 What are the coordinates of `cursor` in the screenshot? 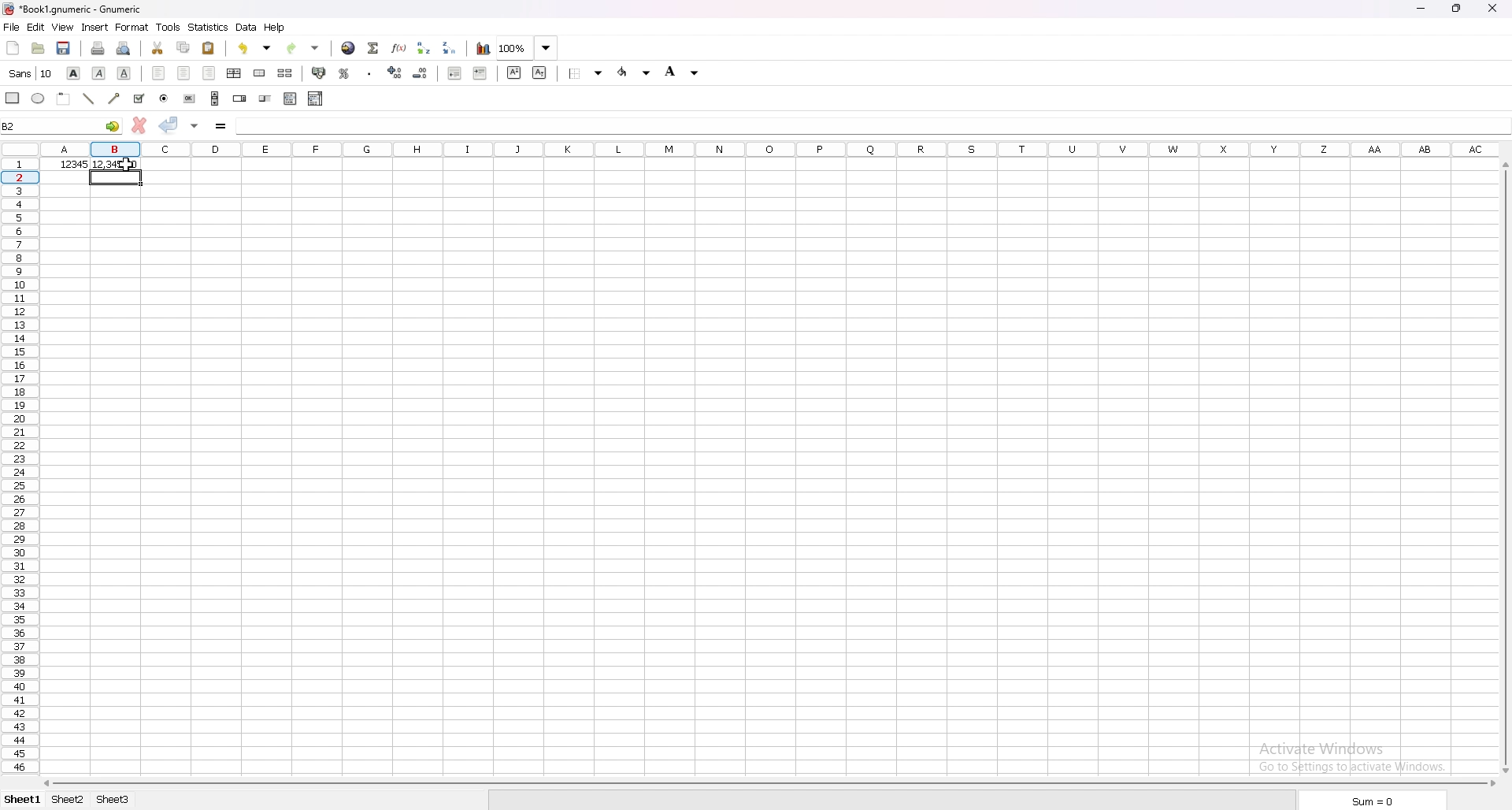 It's located at (123, 165).